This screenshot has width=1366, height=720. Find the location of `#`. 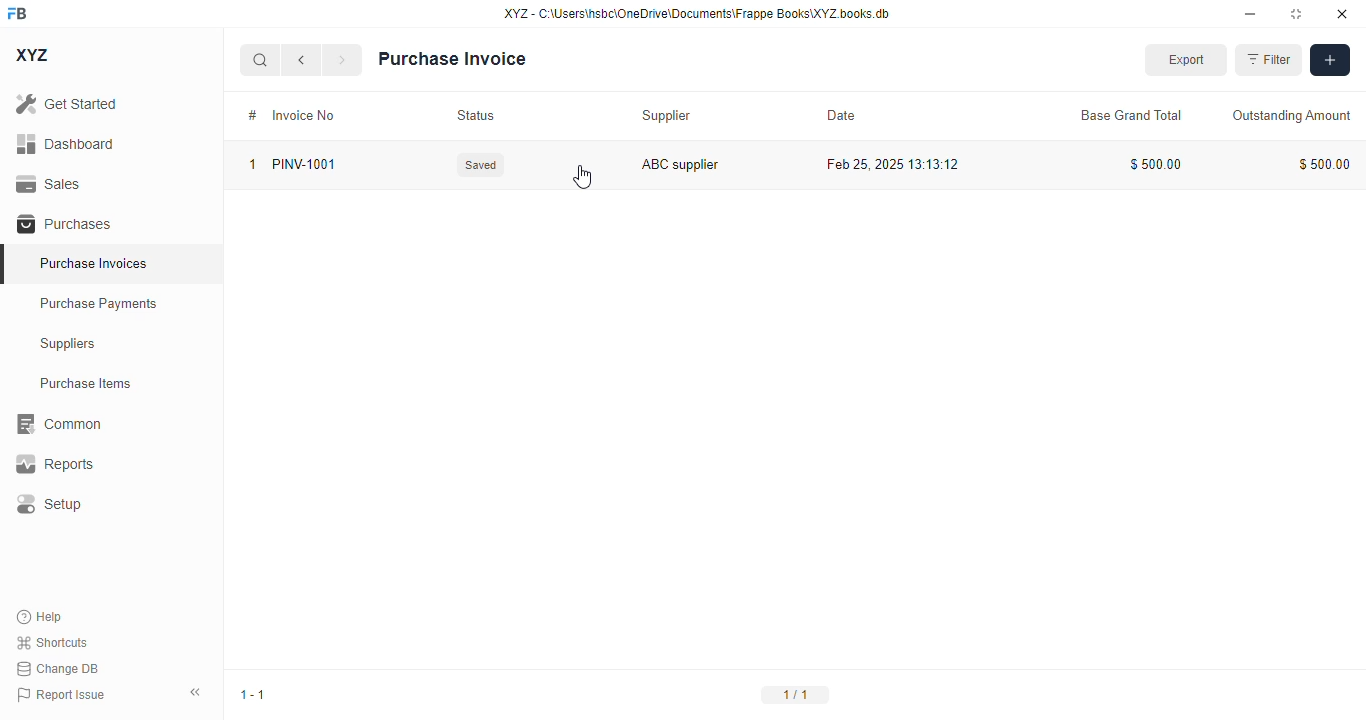

# is located at coordinates (252, 115).